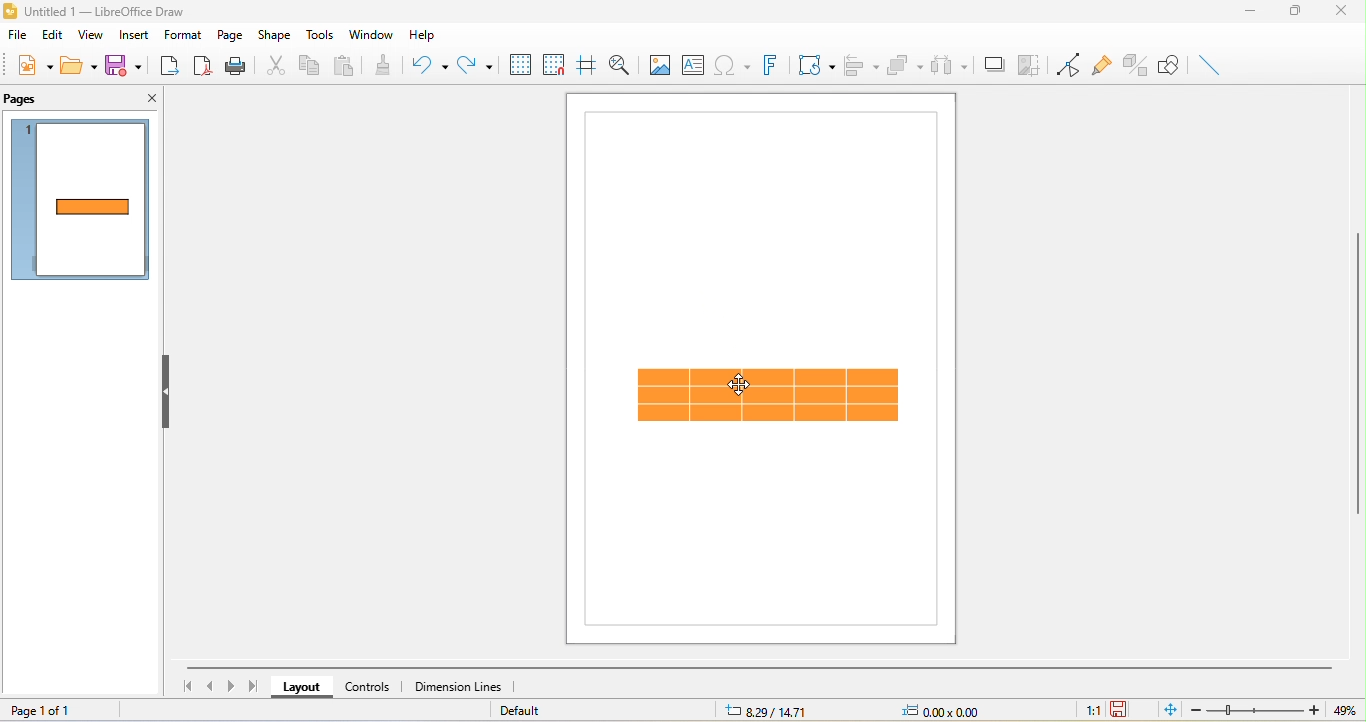  Describe the element at coordinates (313, 66) in the screenshot. I see `copy` at that location.